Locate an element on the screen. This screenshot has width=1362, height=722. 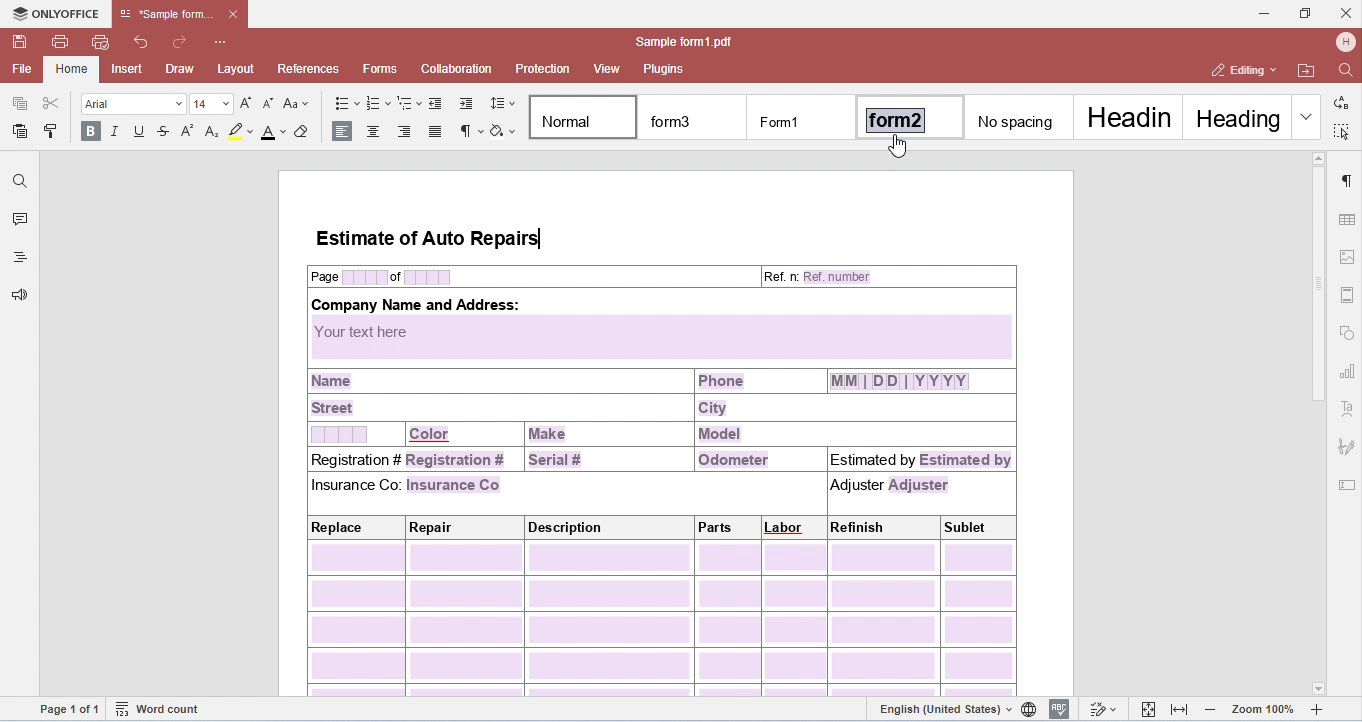
shading is located at coordinates (504, 132).